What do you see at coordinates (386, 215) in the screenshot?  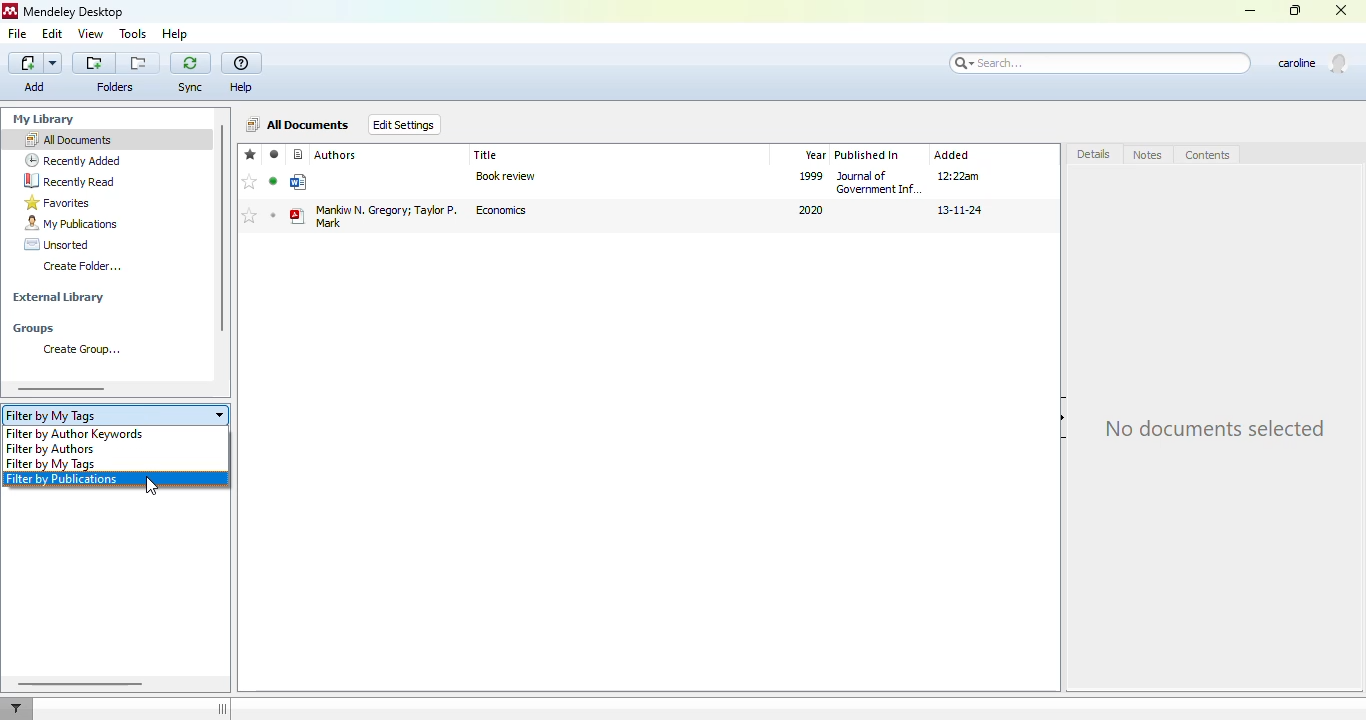 I see `Mankiw N. Gregory Taylor P. Mark` at bounding box center [386, 215].